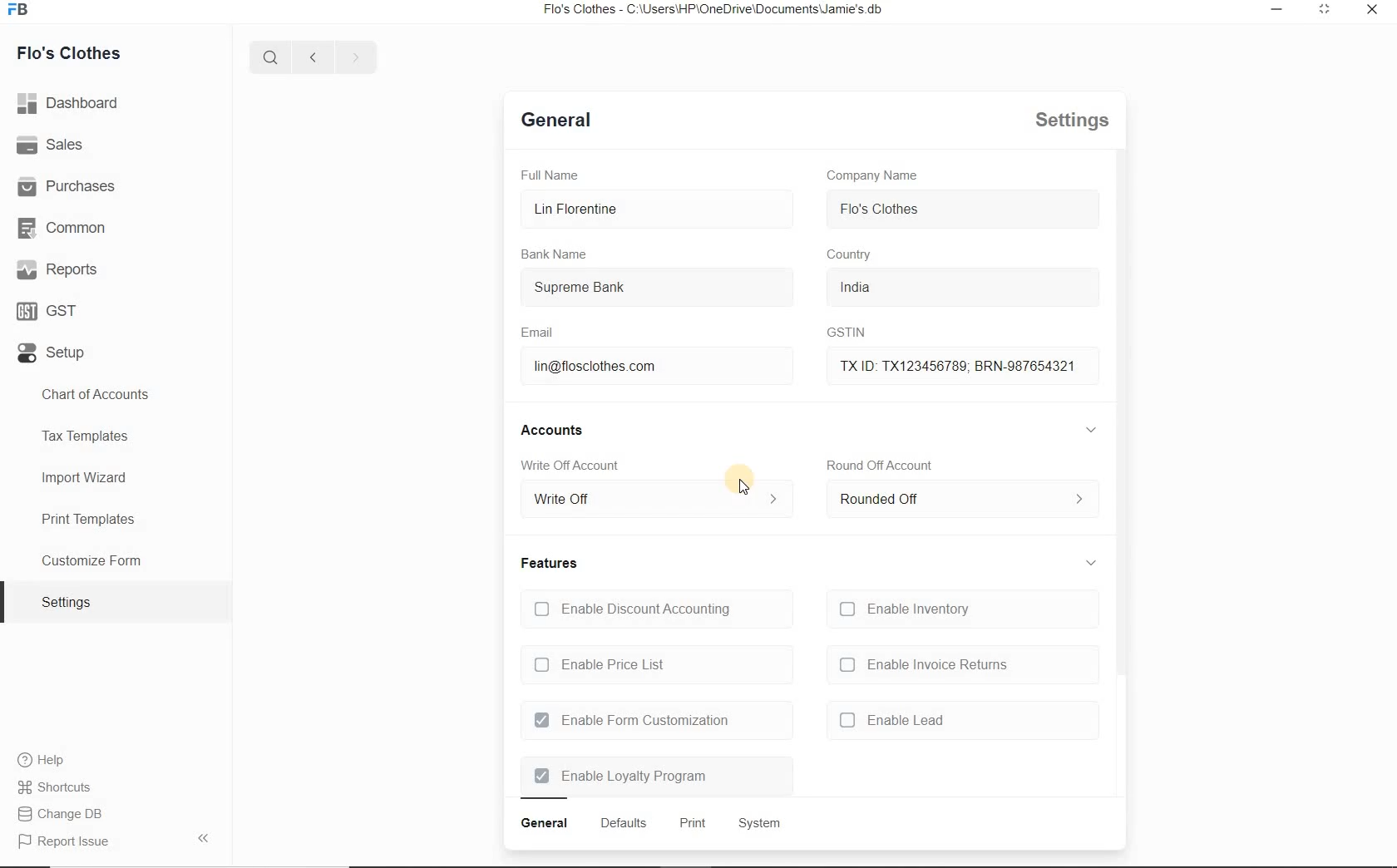  What do you see at coordinates (353, 57) in the screenshot?
I see `next` at bounding box center [353, 57].